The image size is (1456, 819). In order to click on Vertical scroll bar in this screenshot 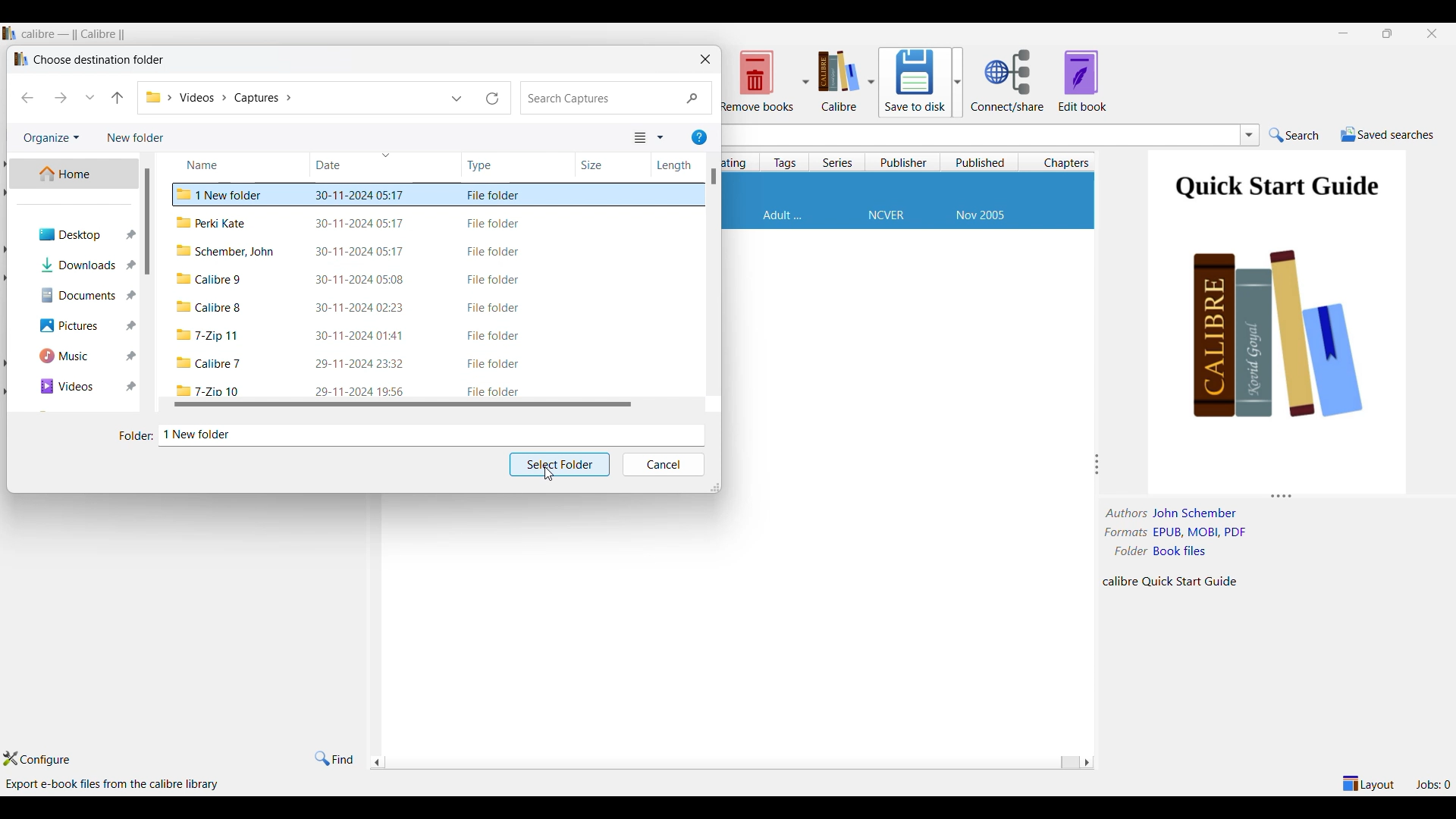, I will do `click(155, 221)`.